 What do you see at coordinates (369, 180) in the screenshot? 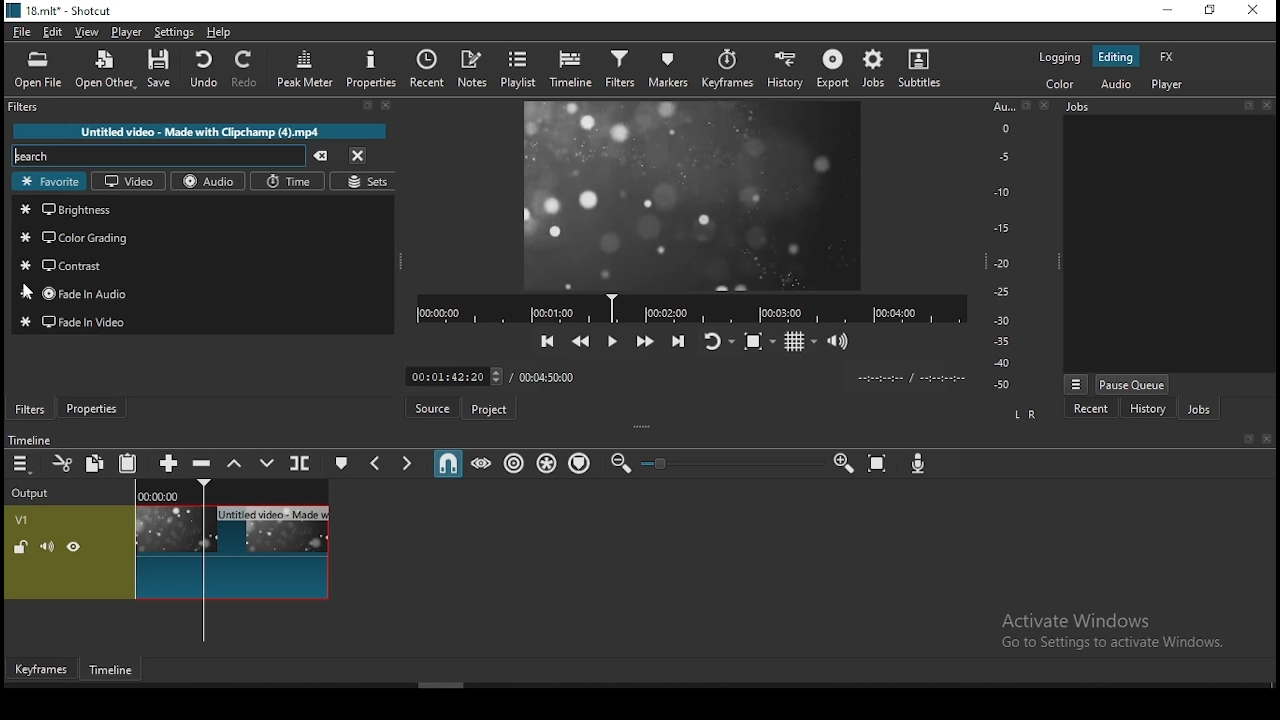
I see `sets` at bounding box center [369, 180].